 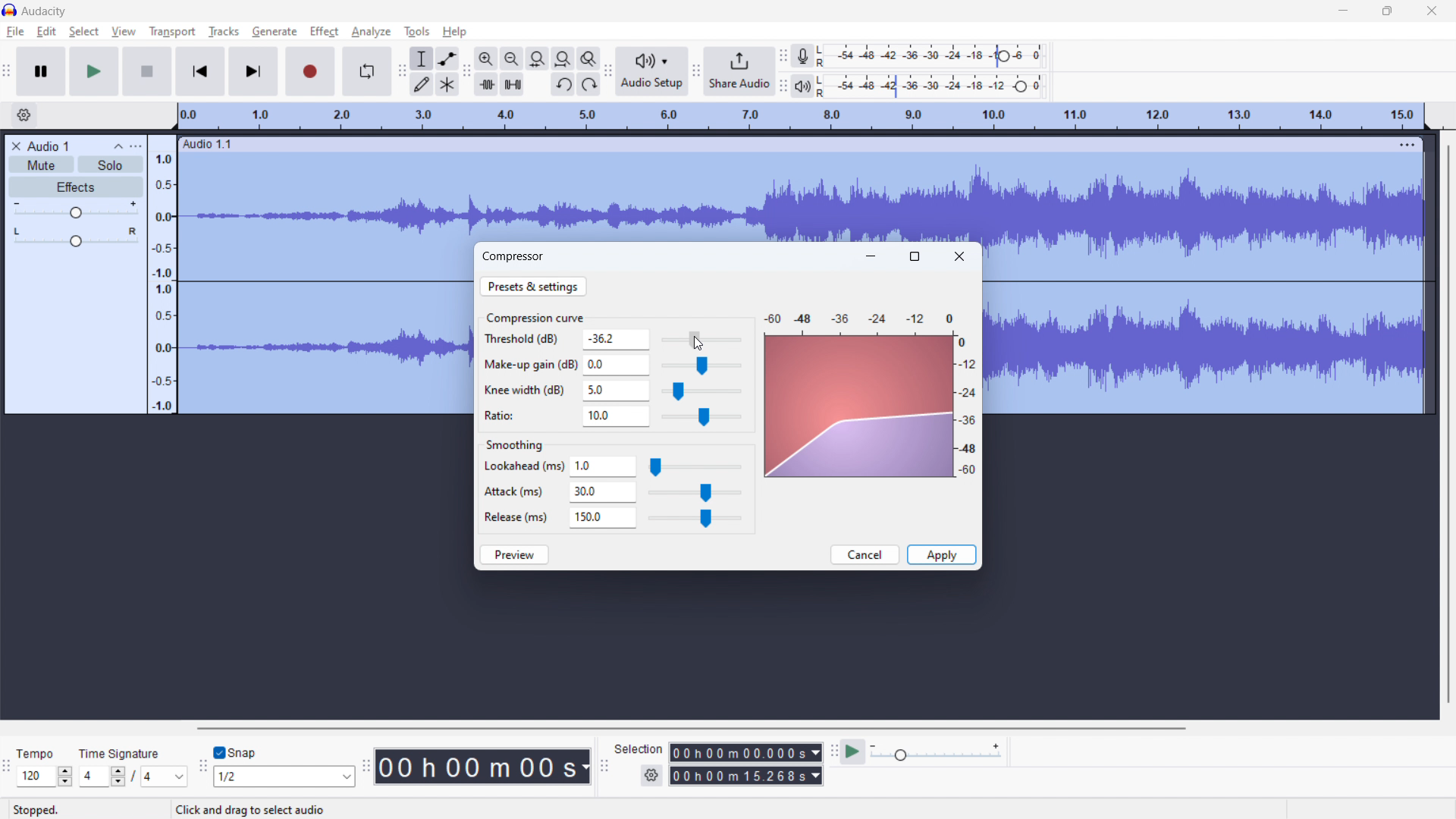 What do you see at coordinates (616, 417) in the screenshot?
I see `10.0` at bounding box center [616, 417].